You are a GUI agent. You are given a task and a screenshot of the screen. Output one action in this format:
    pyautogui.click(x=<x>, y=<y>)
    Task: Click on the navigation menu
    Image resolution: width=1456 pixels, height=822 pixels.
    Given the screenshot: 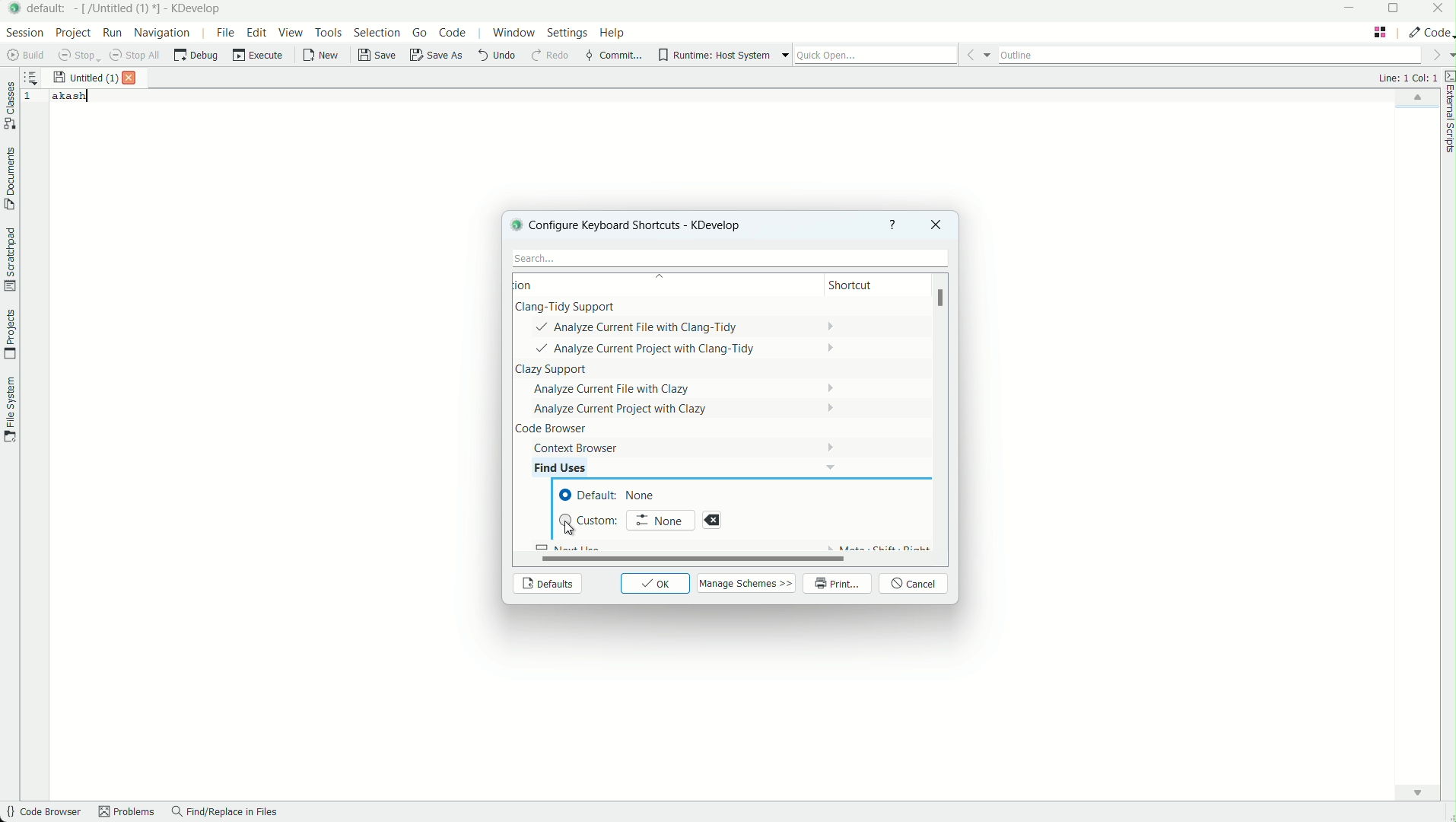 What is the action you would take?
    pyautogui.click(x=163, y=32)
    